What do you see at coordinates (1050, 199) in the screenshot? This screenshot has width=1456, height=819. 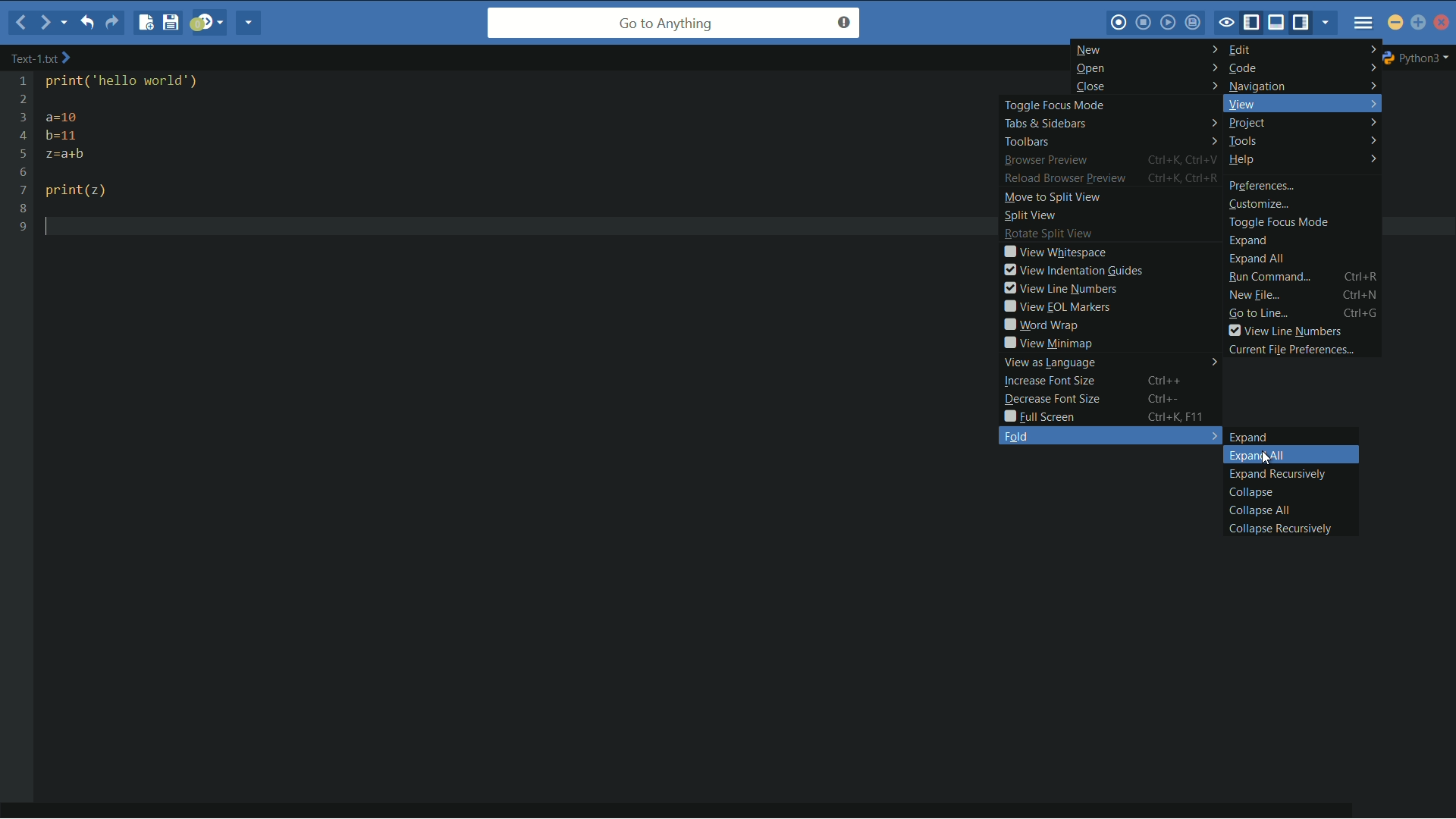 I see `move to split view` at bounding box center [1050, 199].